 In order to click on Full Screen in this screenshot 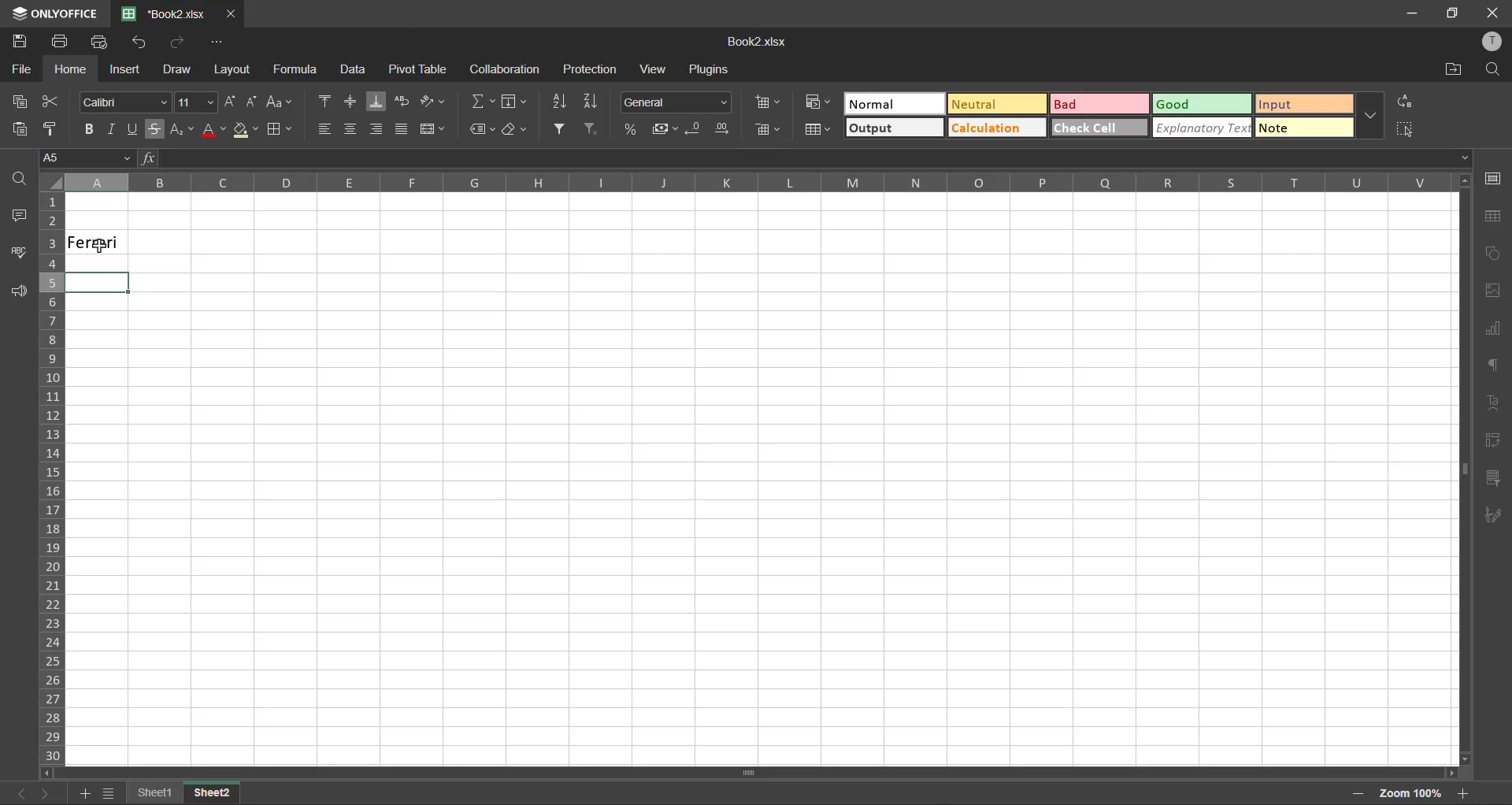, I will do `click(1454, 14)`.